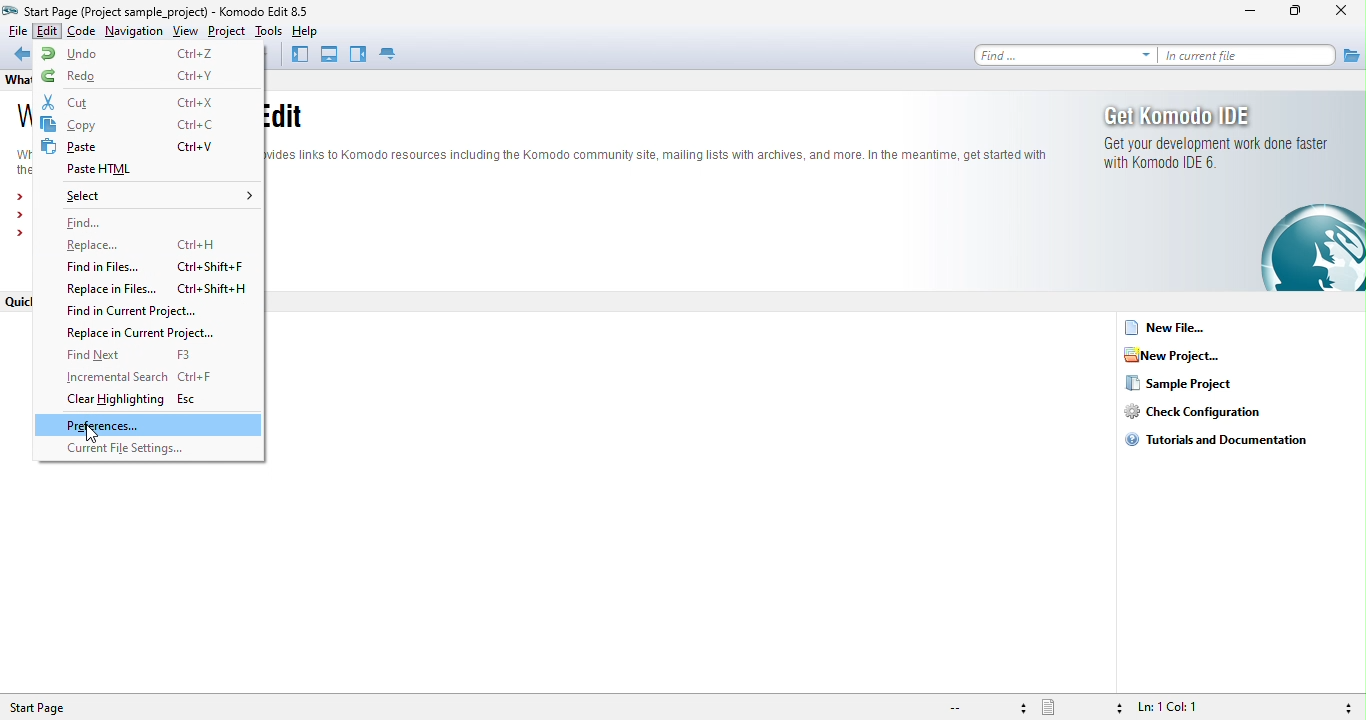  Describe the element at coordinates (140, 76) in the screenshot. I see `redo` at that location.